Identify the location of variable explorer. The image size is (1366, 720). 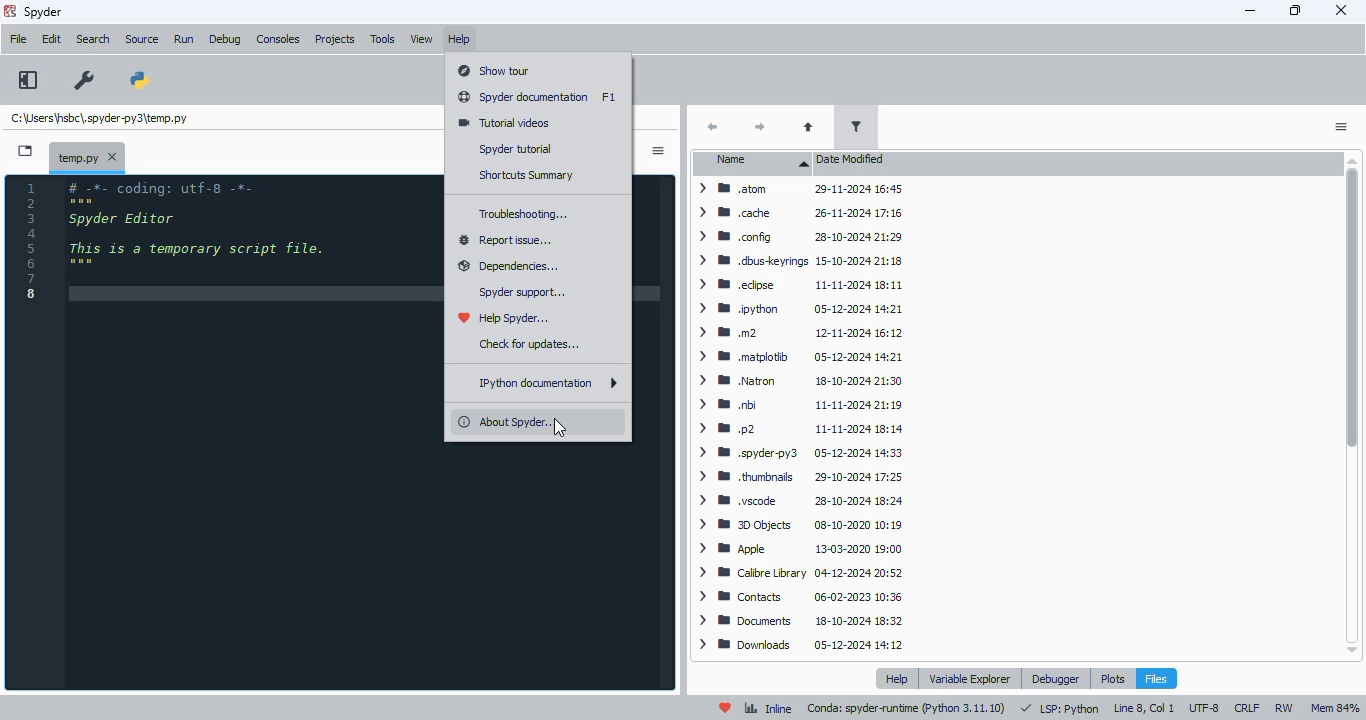
(969, 678).